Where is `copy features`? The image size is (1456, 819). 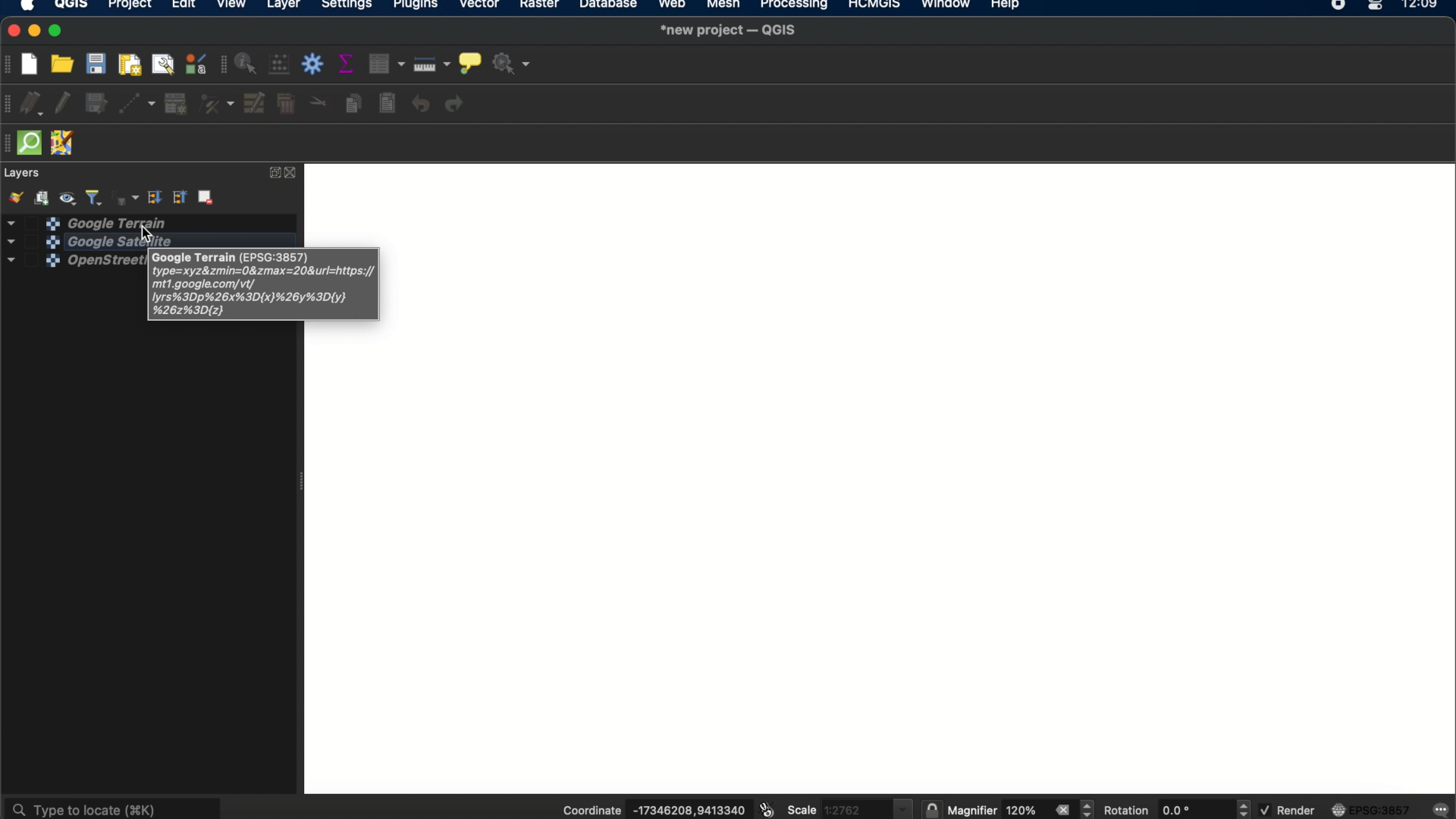
copy features is located at coordinates (353, 103).